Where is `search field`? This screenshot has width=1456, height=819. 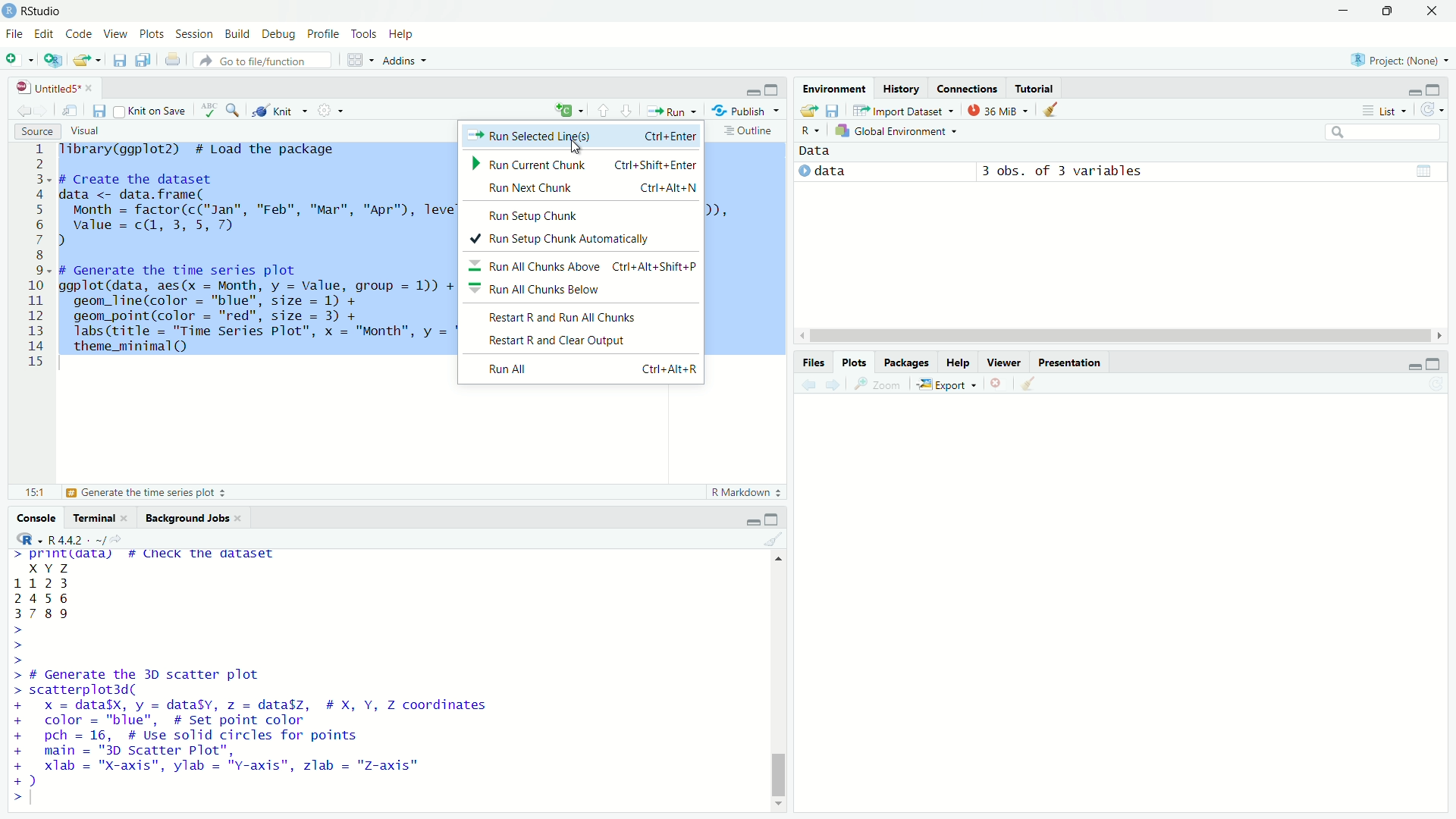 search field is located at coordinates (1382, 132).